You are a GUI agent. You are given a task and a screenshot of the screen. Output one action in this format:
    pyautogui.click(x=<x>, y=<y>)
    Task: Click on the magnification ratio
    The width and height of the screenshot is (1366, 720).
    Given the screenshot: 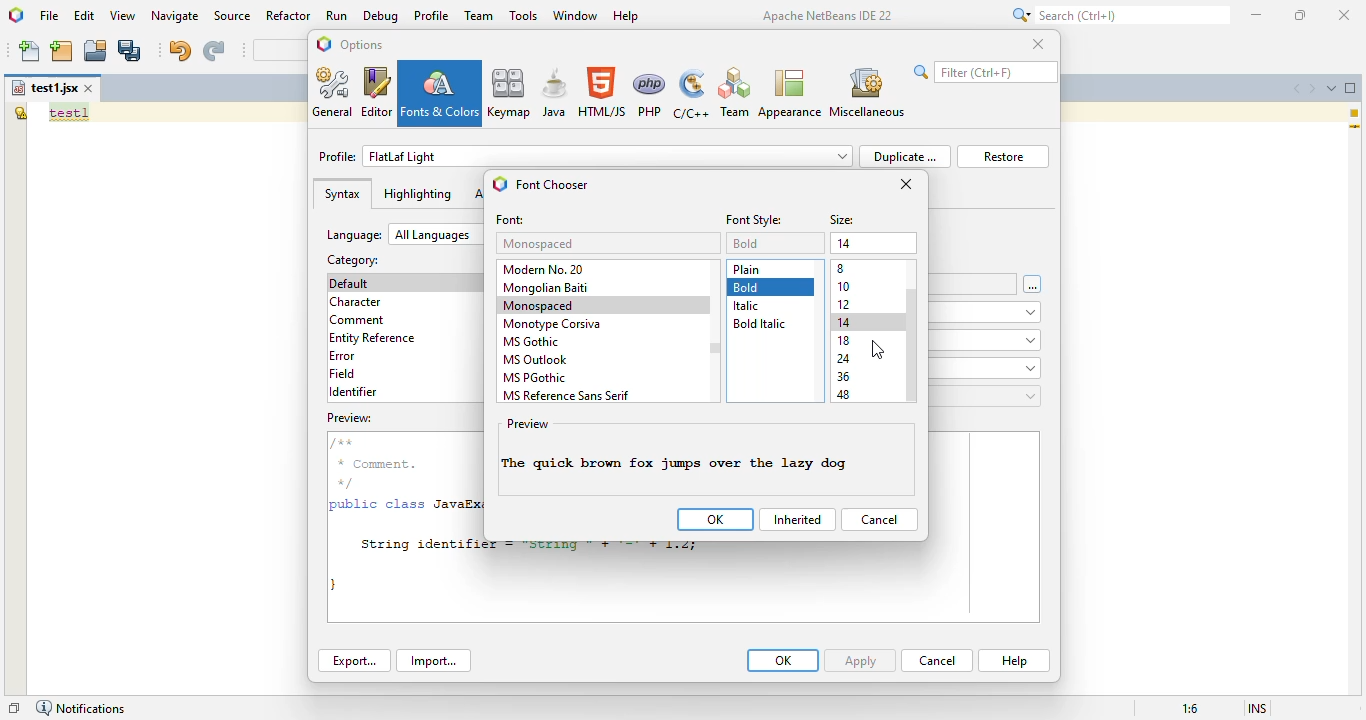 What is the action you would take?
    pyautogui.click(x=1190, y=708)
    